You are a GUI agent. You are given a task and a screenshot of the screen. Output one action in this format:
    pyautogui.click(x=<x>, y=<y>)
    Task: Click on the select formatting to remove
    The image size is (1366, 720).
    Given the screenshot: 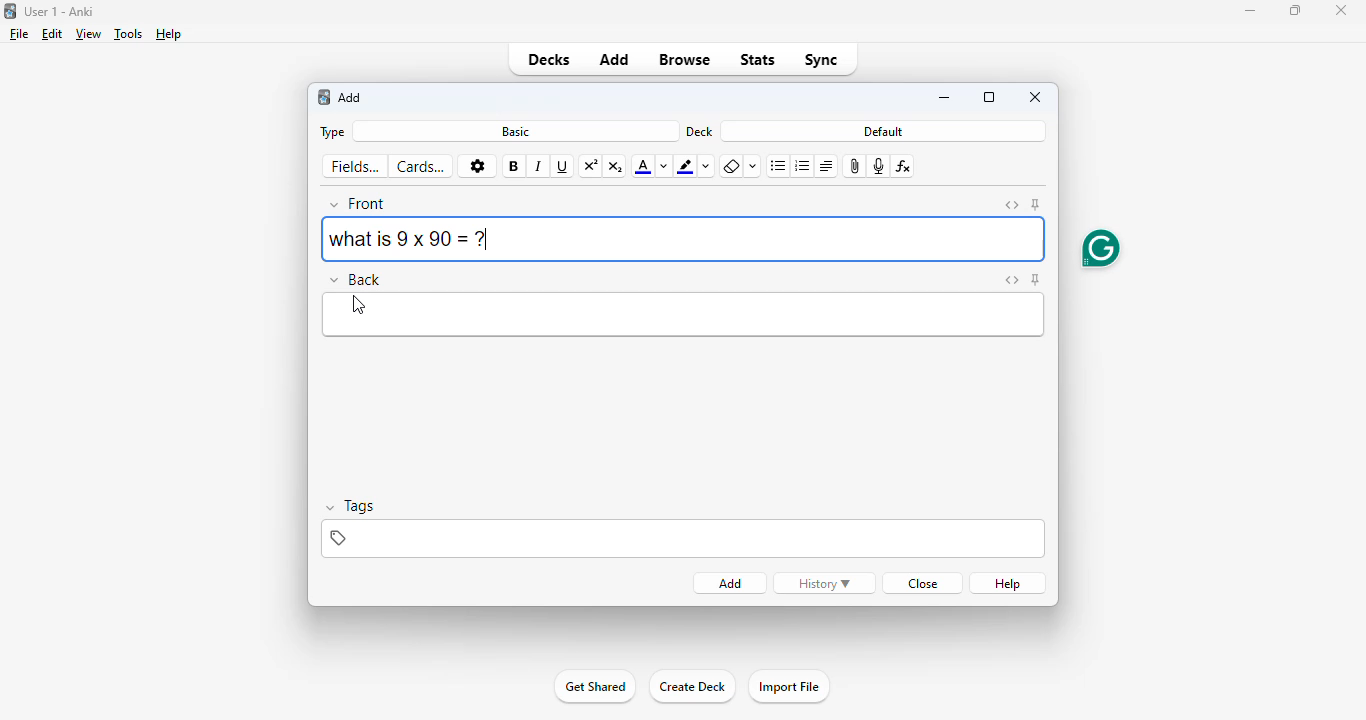 What is the action you would take?
    pyautogui.click(x=753, y=166)
    